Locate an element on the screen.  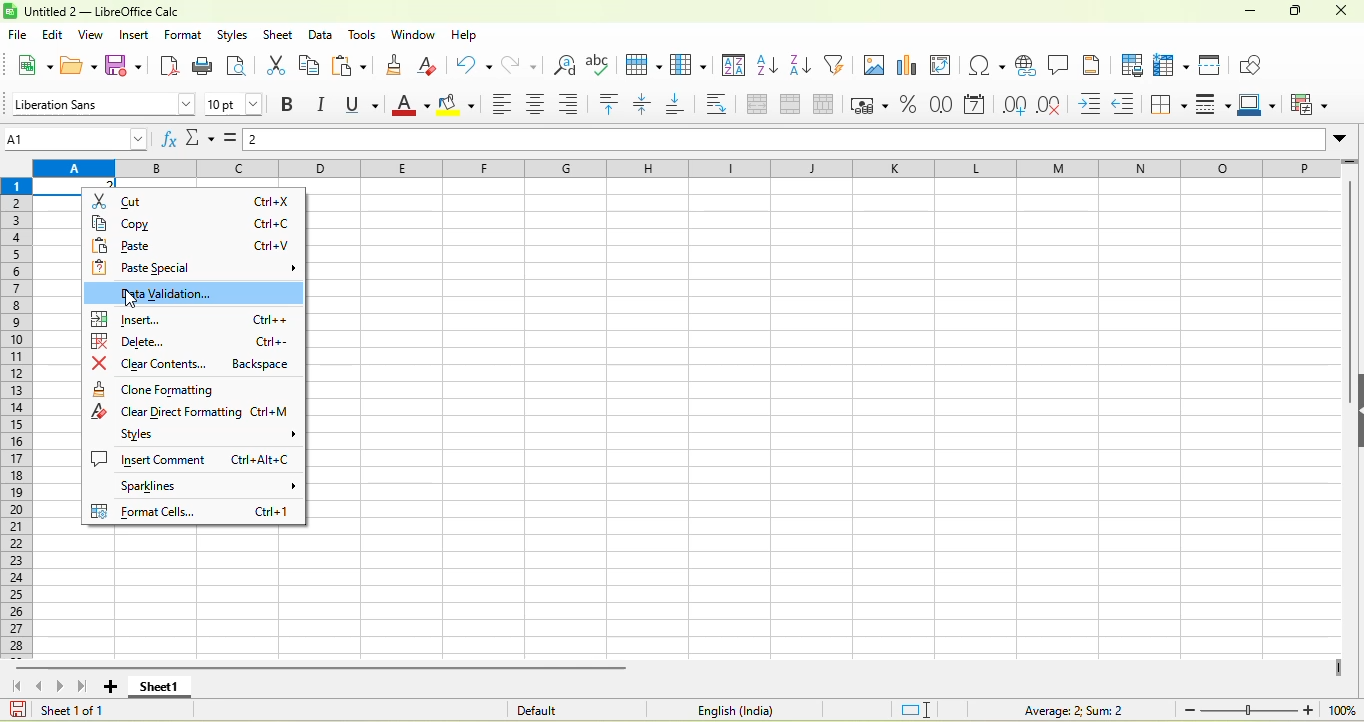
format as currency is located at coordinates (870, 105).